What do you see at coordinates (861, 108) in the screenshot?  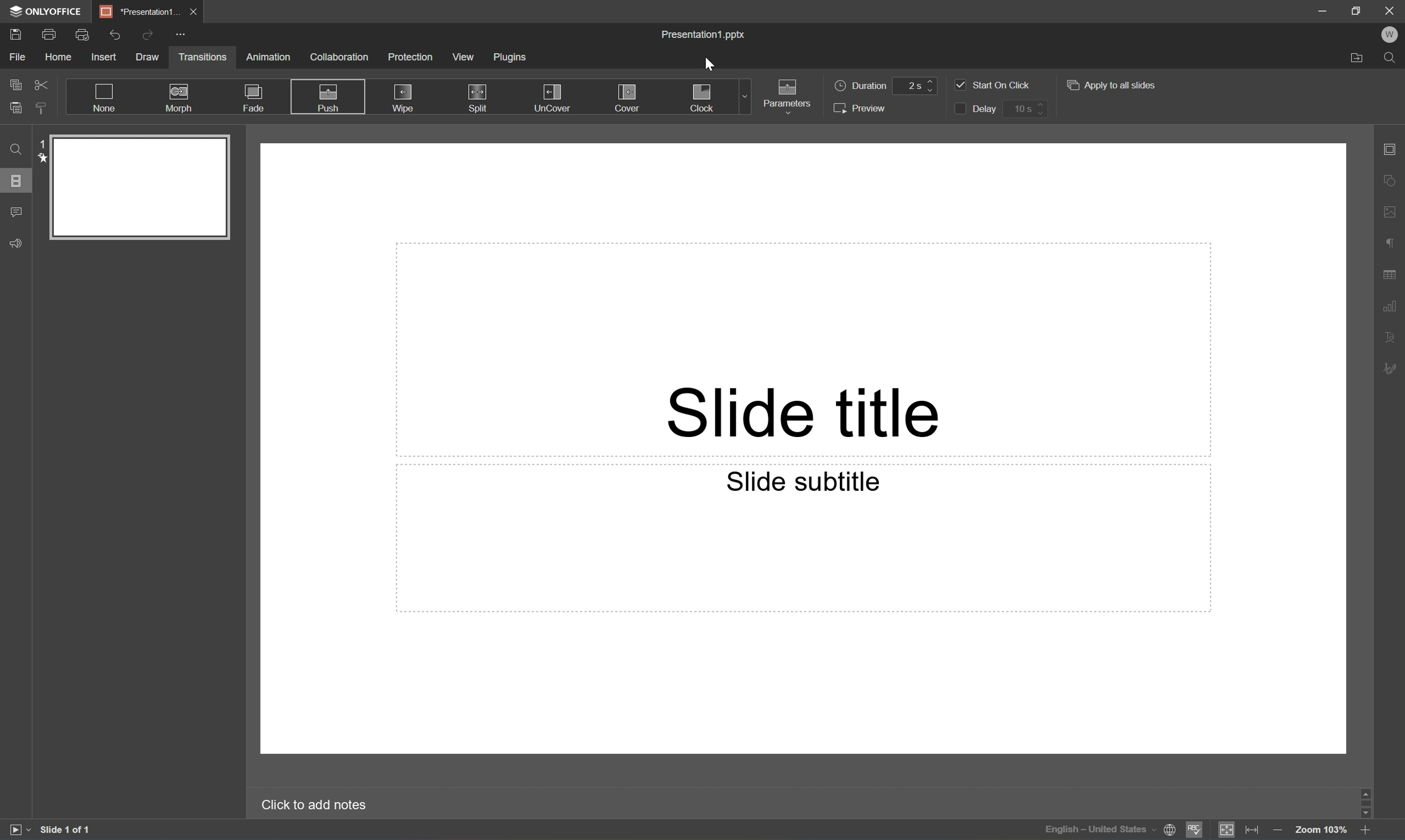 I see `Preview` at bounding box center [861, 108].